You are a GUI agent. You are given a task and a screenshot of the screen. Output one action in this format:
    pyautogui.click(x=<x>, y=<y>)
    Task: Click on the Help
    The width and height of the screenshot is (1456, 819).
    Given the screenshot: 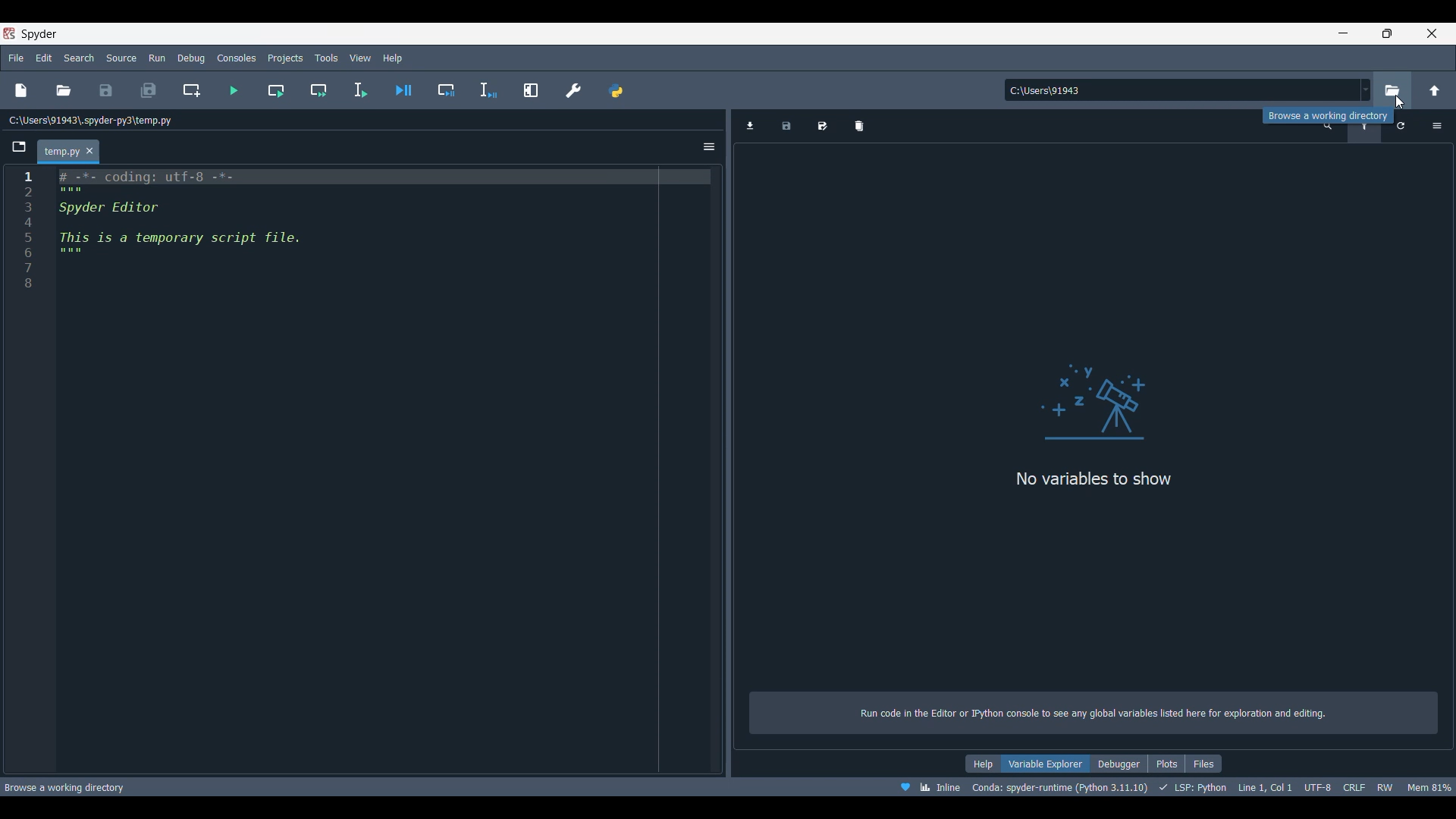 What is the action you would take?
    pyautogui.click(x=983, y=764)
    